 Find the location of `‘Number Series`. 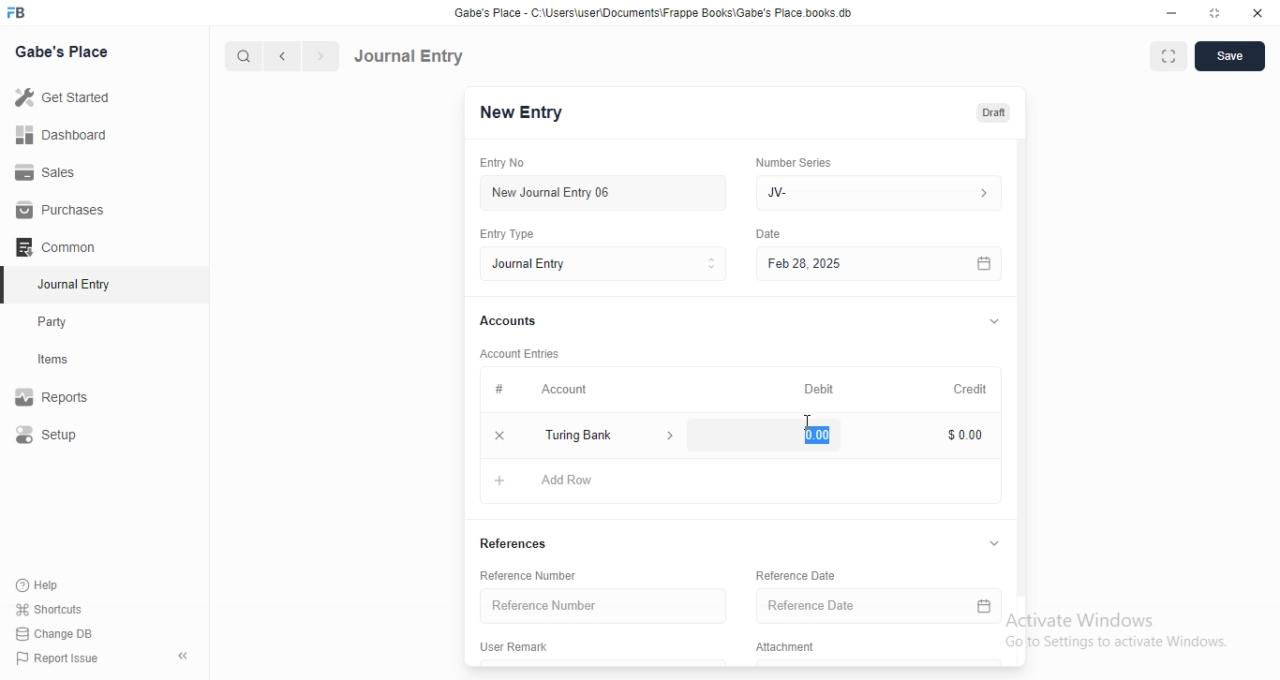

‘Number Series is located at coordinates (805, 160).